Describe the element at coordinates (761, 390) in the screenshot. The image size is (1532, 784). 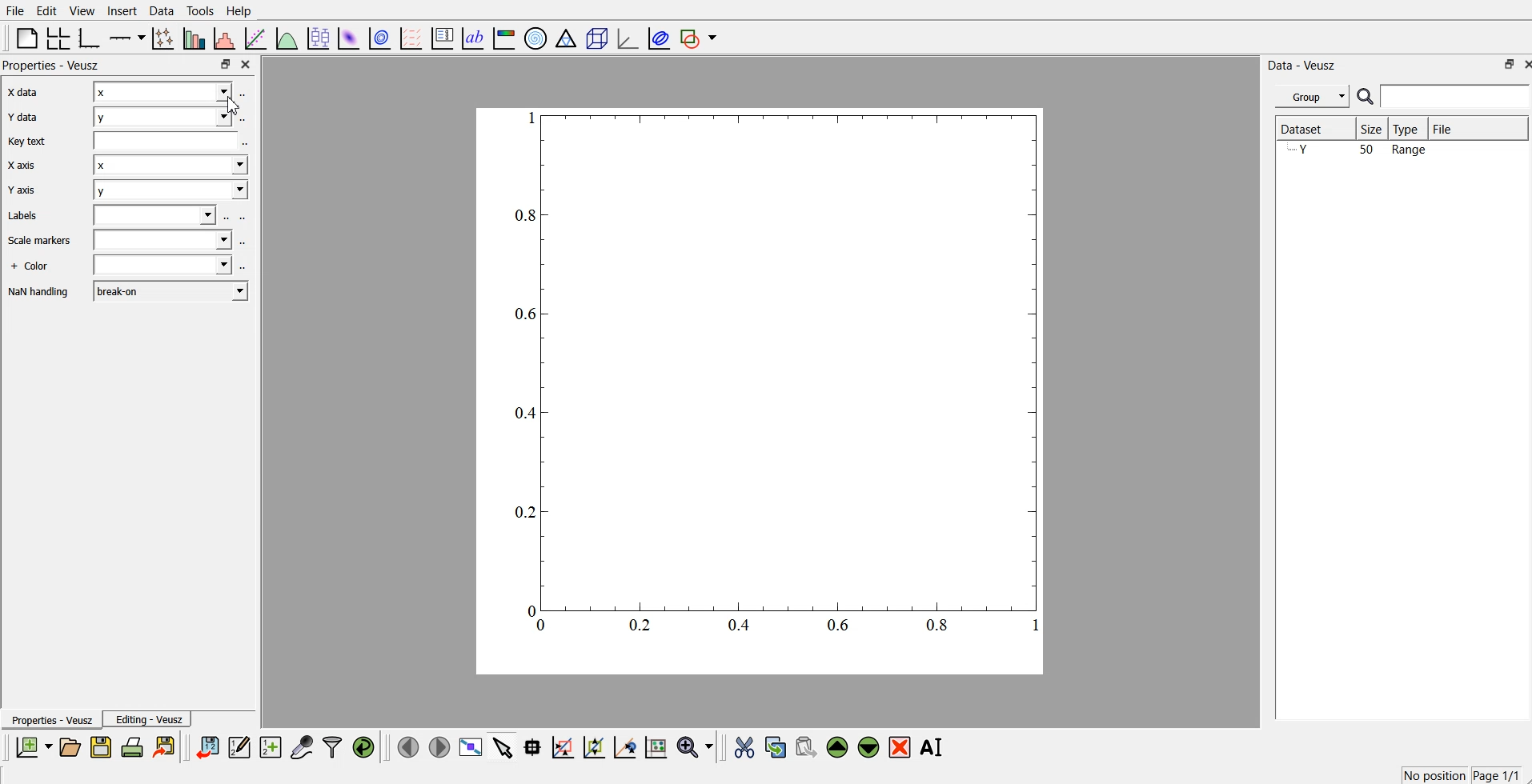
I see `graph chart` at that location.